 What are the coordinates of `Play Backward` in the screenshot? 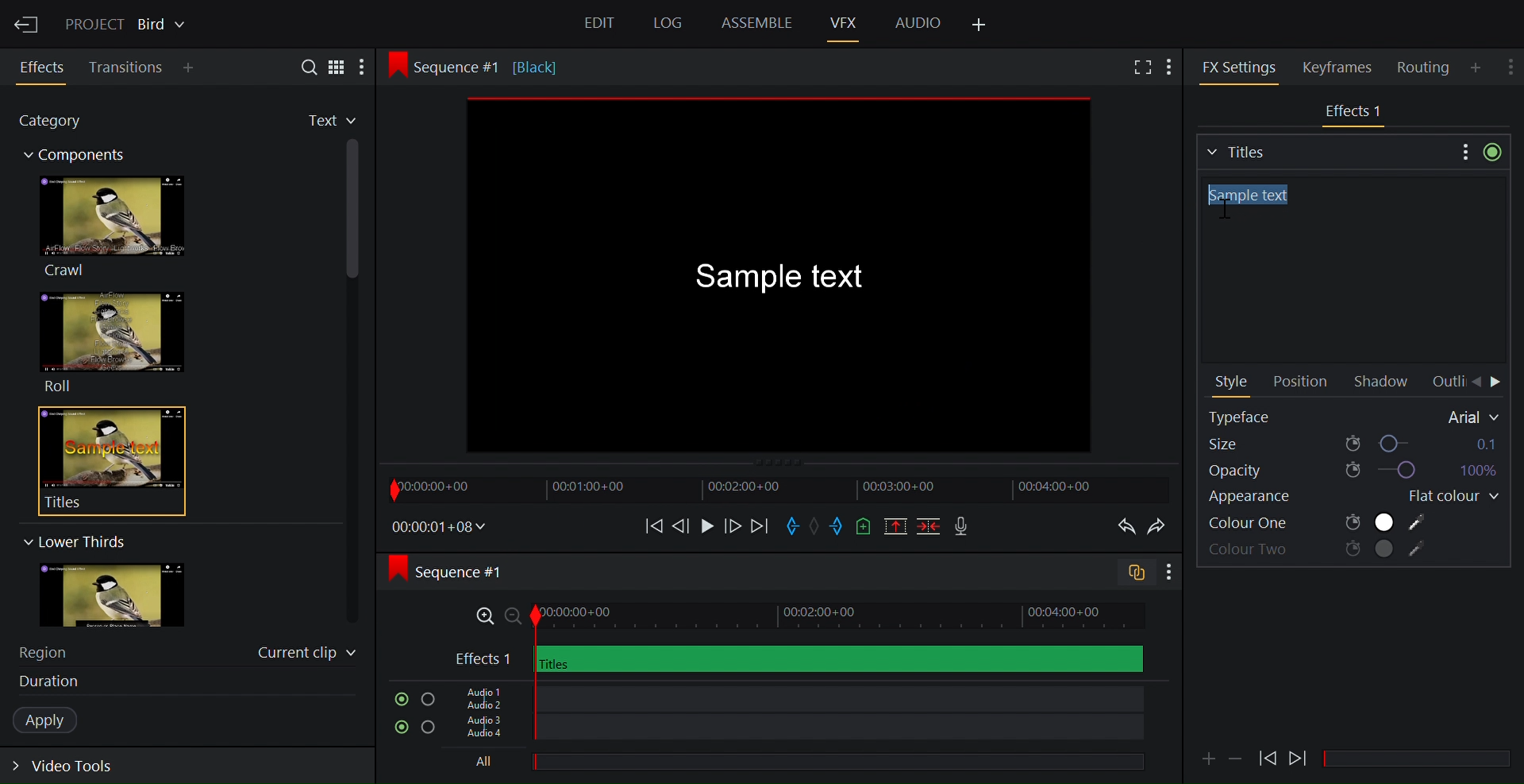 It's located at (1299, 755).